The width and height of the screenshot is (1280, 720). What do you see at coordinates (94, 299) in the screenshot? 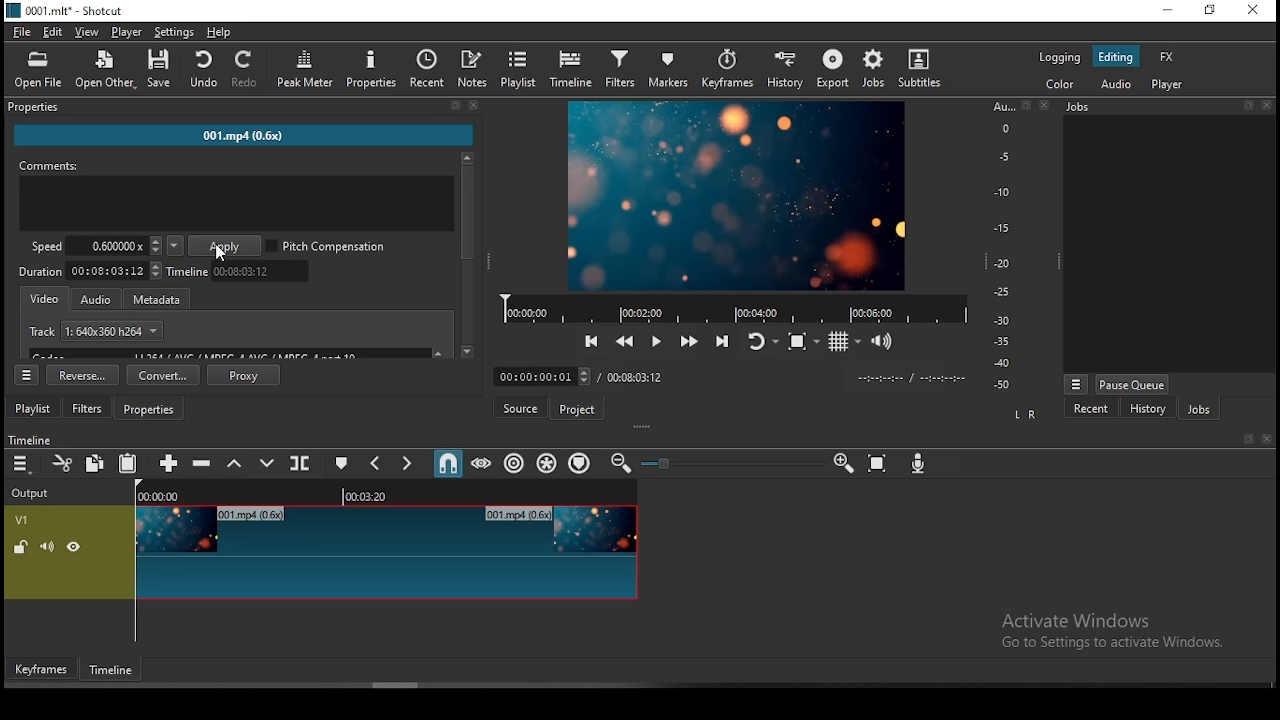
I see `audio` at bounding box center [94, 299].